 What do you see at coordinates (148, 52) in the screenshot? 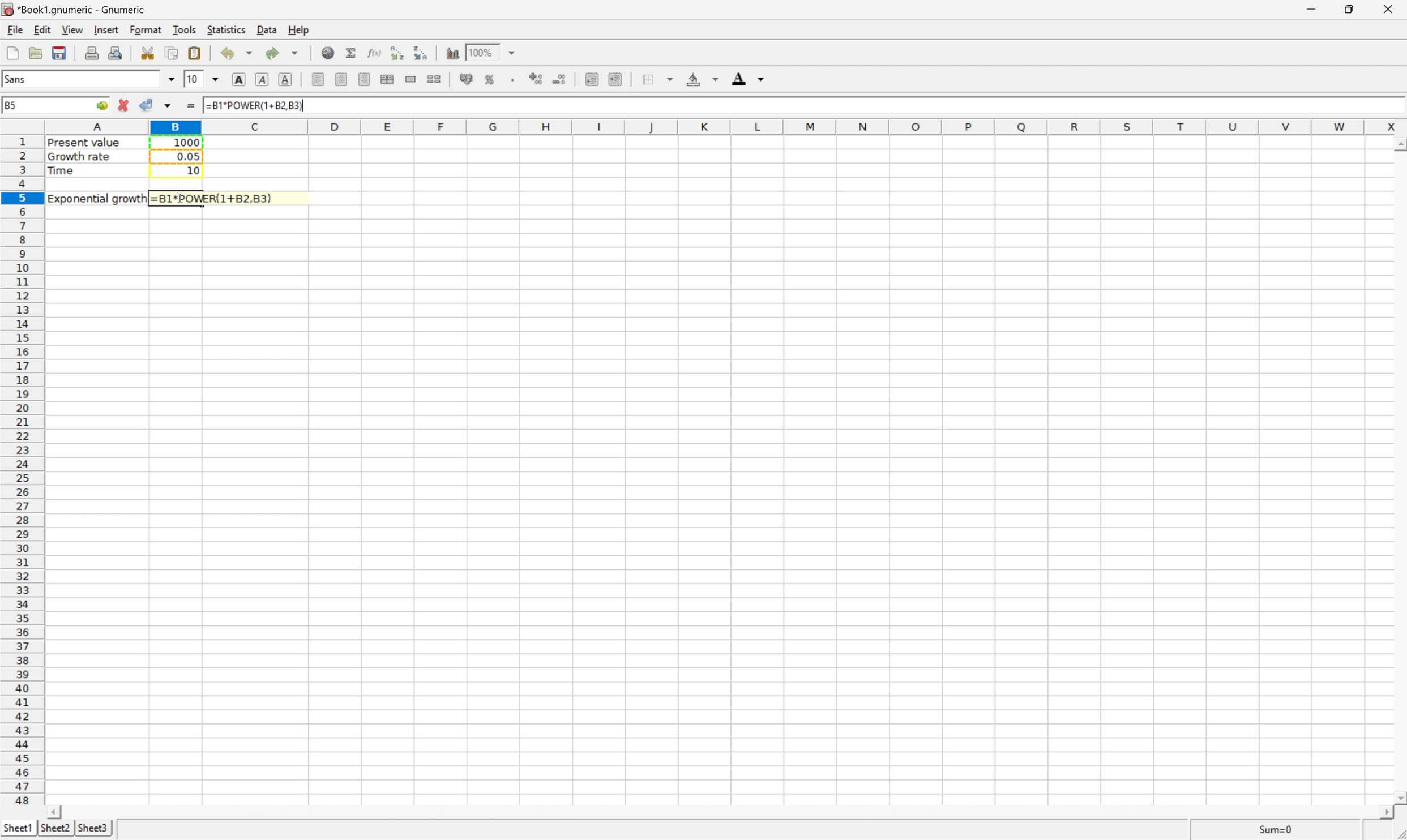
I see `Cut the selection` at bounding box center [148, 52].